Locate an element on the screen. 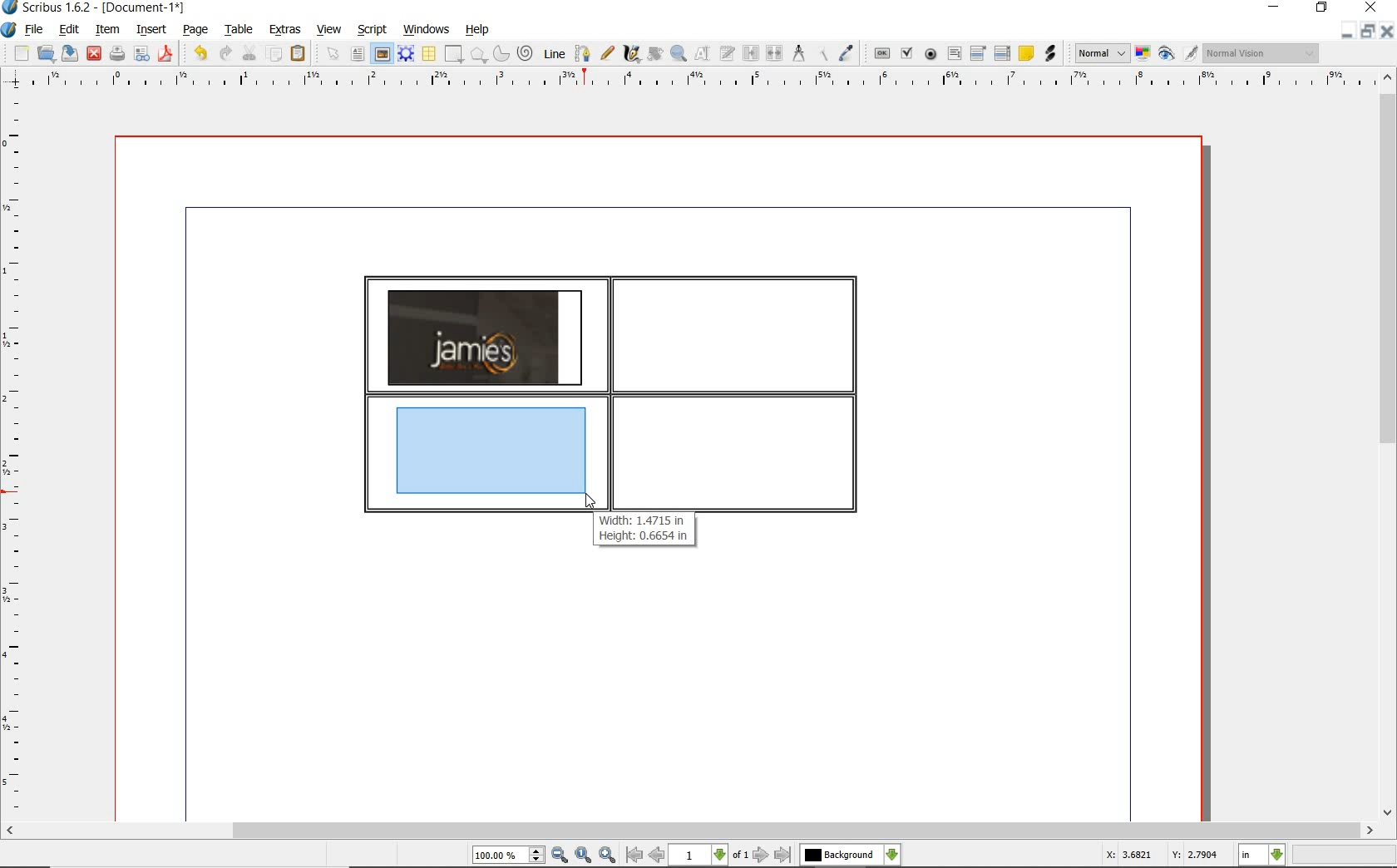 The image size is (1397, 868). go to last page is located at coordinates (784, 855).